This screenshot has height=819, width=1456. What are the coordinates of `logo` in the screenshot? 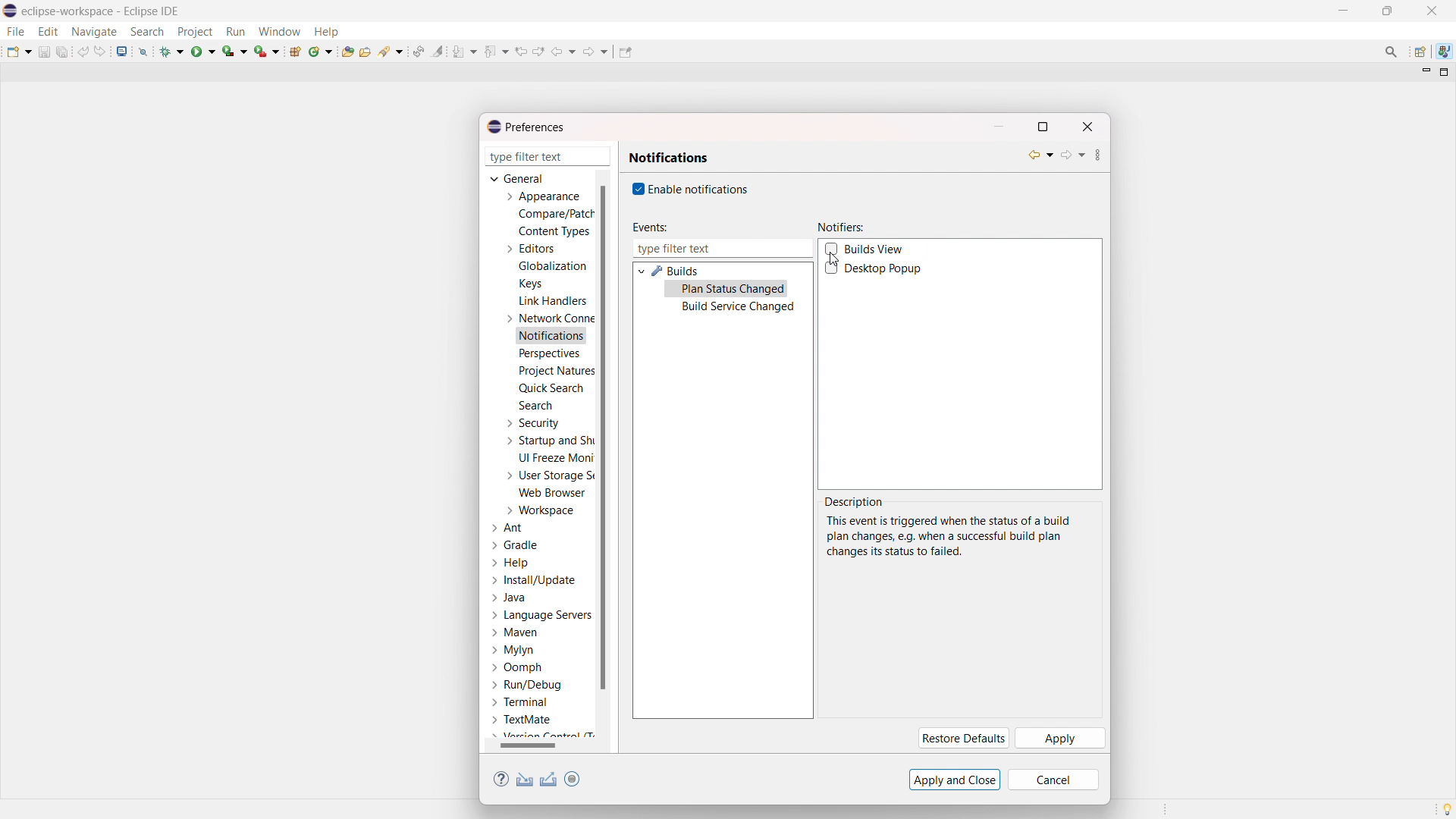 It's located at (11, 11).